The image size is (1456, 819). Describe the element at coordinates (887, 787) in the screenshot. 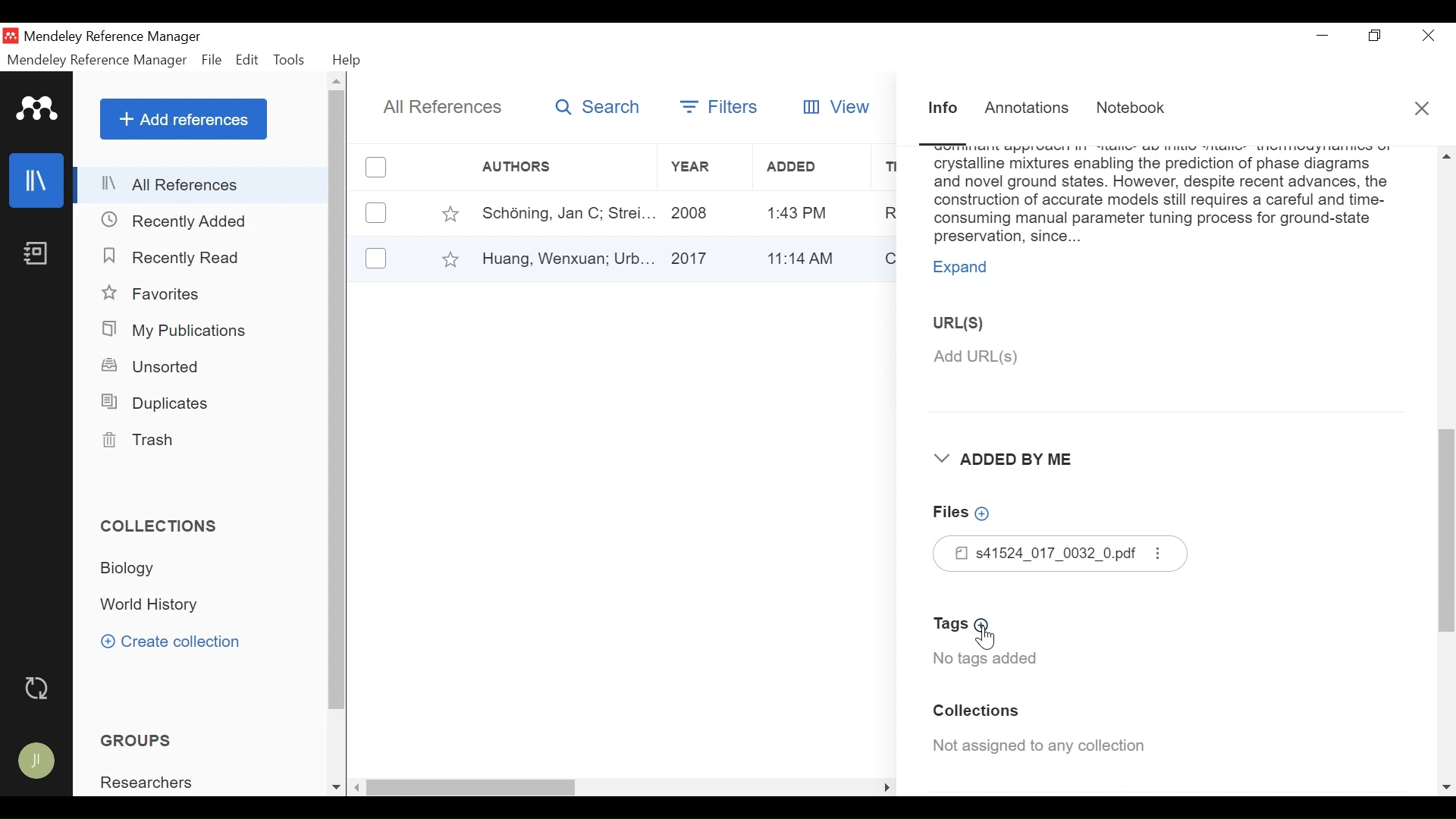

I see `Scroll Right` at that location.